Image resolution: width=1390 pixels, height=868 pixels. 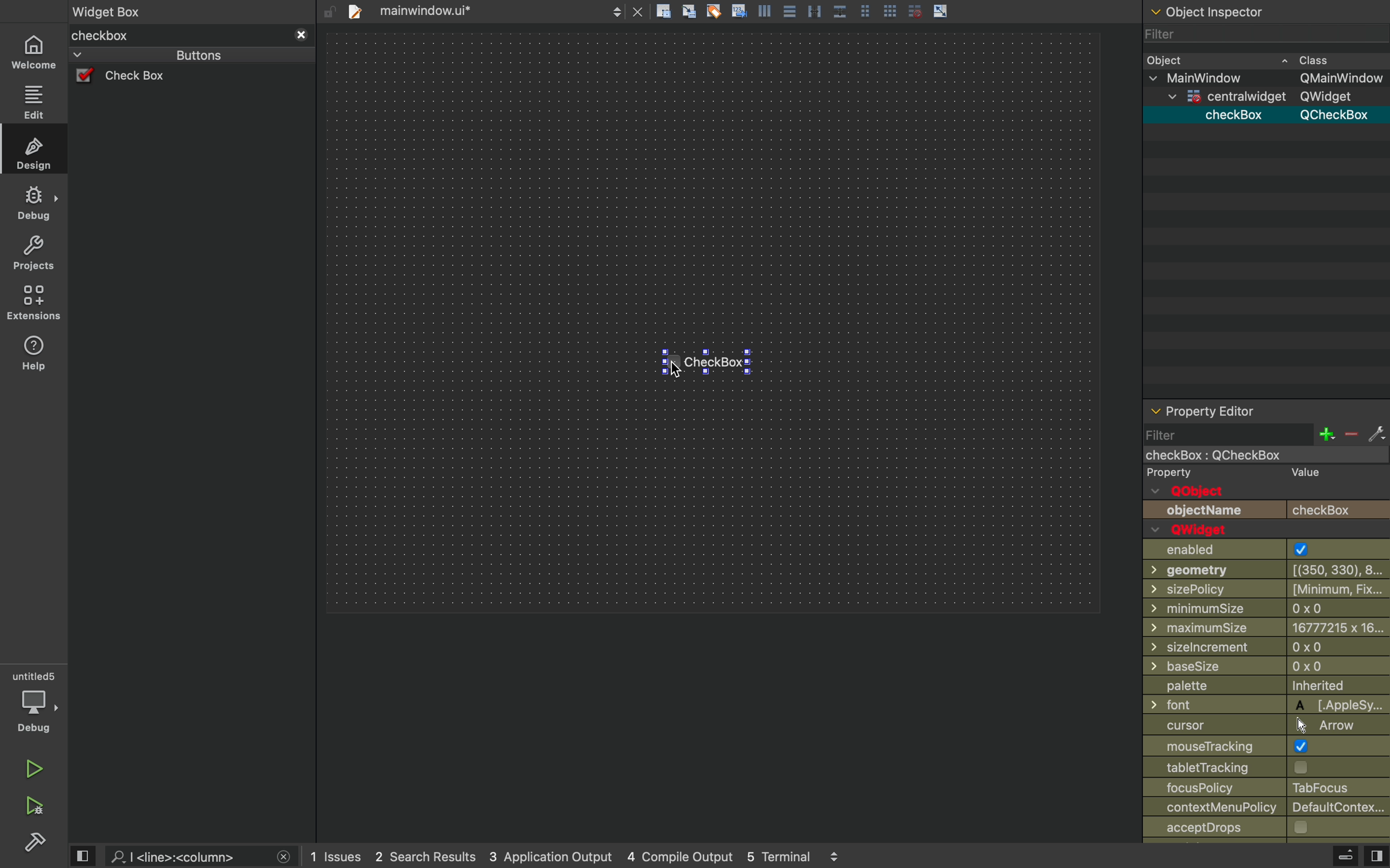 I want to click on distribute vertically, so click(x=840, y=11).